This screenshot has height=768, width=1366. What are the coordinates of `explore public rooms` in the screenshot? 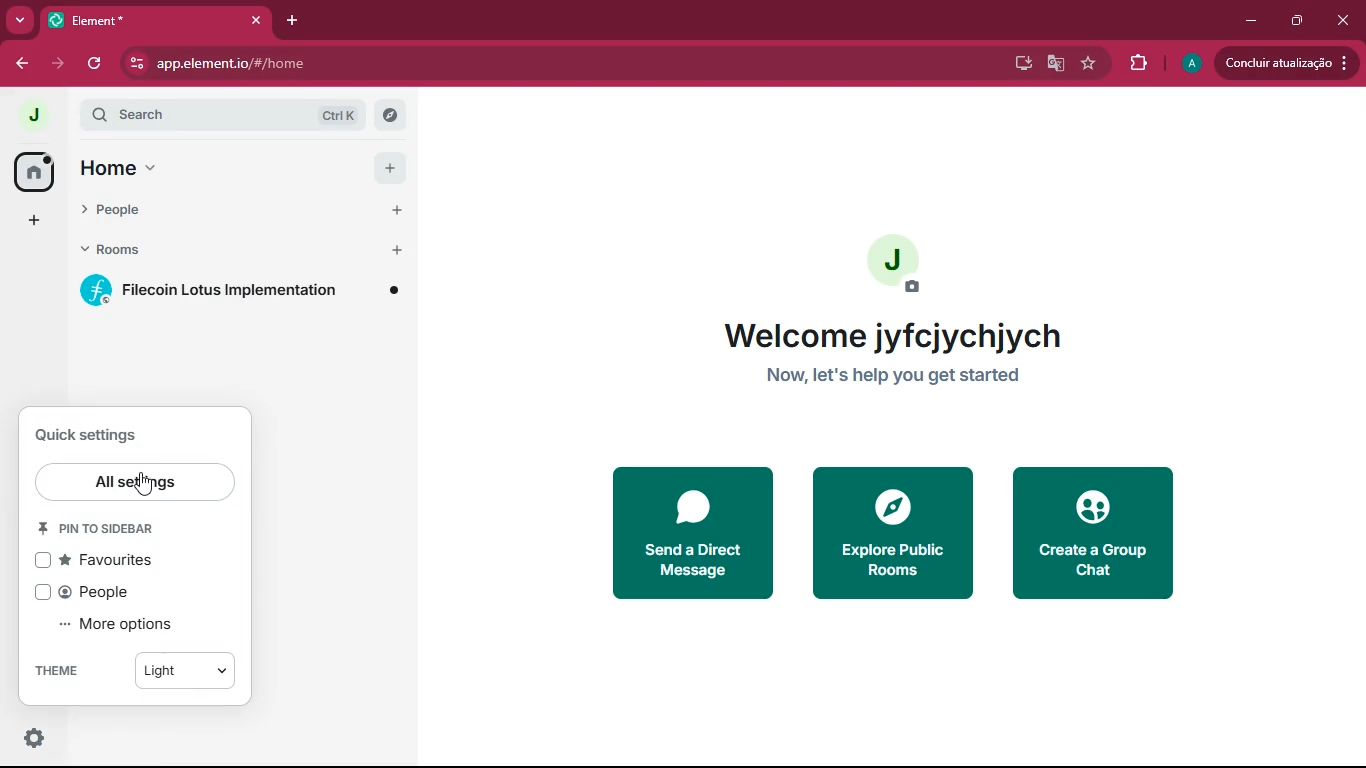 It's located at (889, 535).